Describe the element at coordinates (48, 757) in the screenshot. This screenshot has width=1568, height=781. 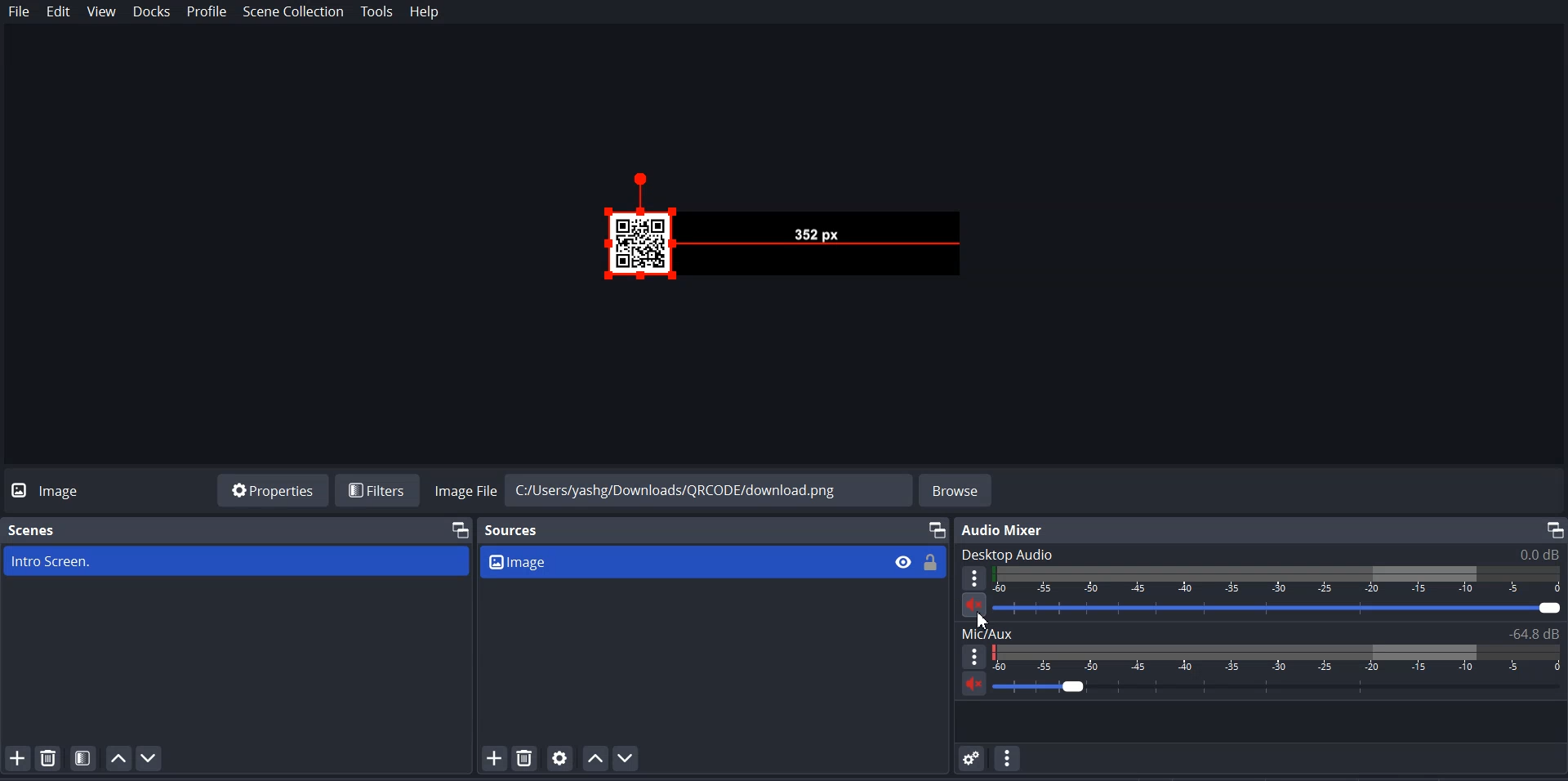
I see `Remove selected Scene` at that location.